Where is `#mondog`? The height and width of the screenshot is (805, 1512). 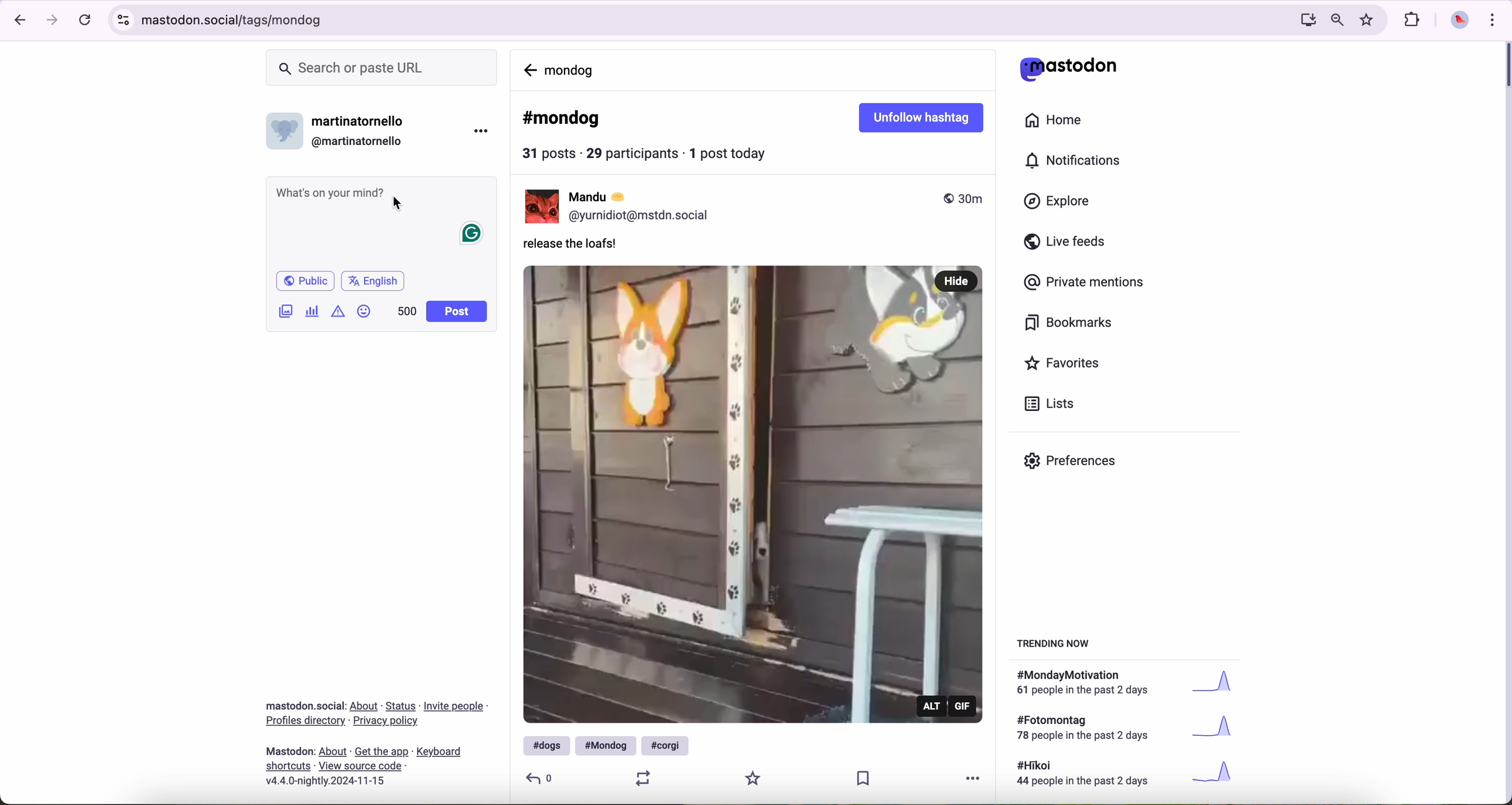 #mondog is located at coordinates (606, 746).